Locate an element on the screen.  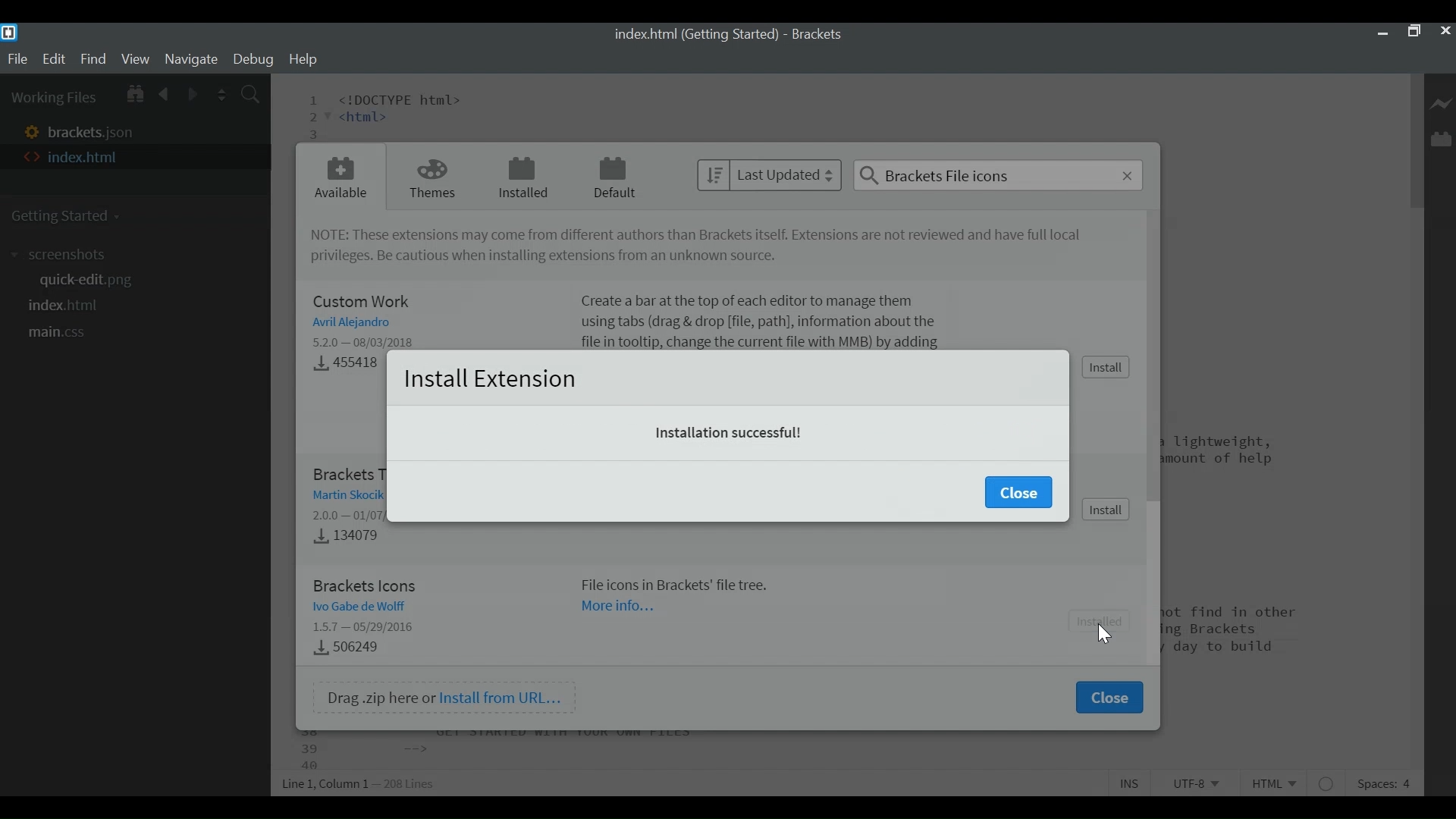
Author is located at coordinates (347, 493).